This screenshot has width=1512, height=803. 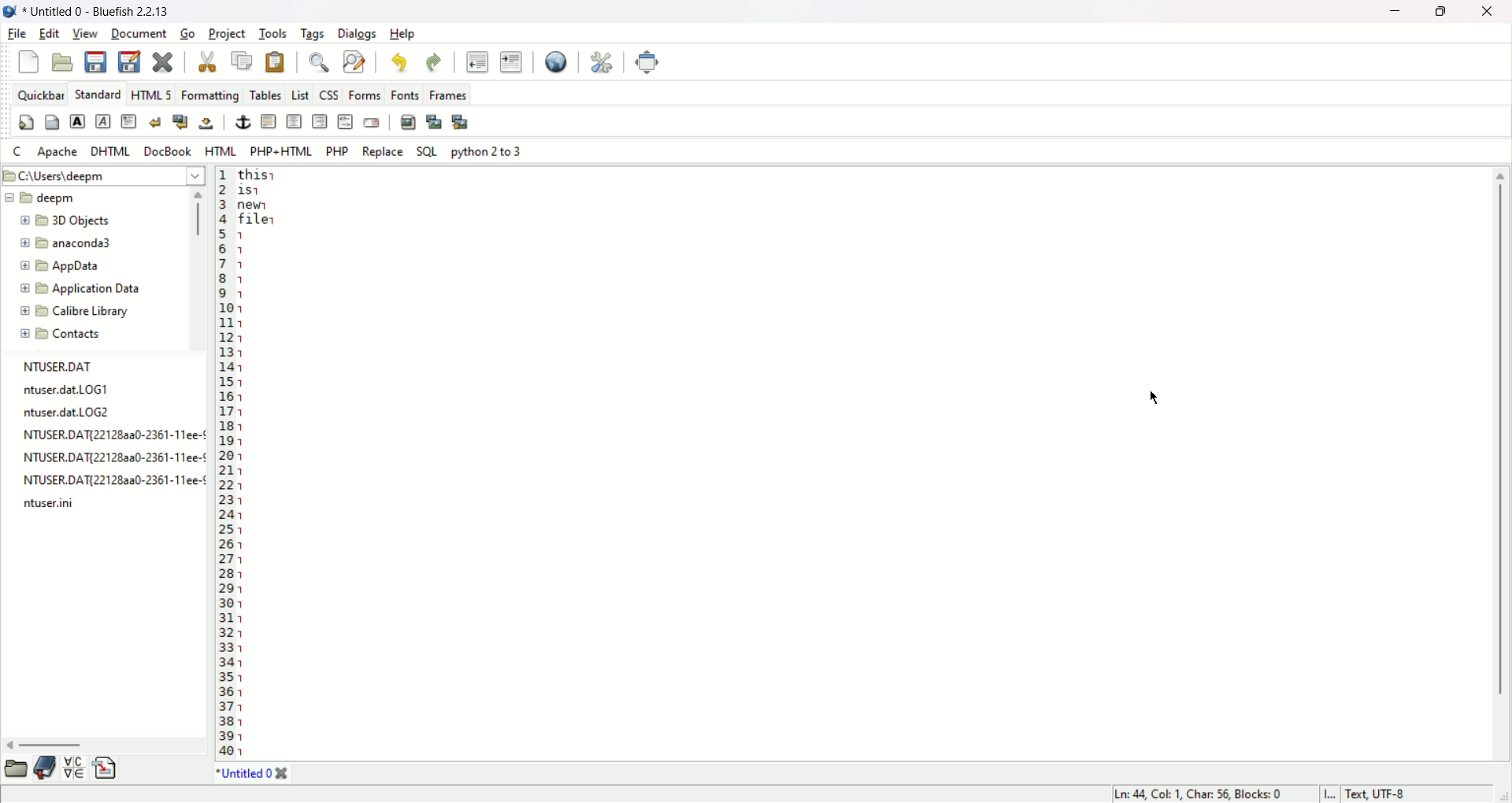 What do you see at coordinates (344, 121) in the screenshot?
I see `HTML comment` at bounding box center [344, 121].